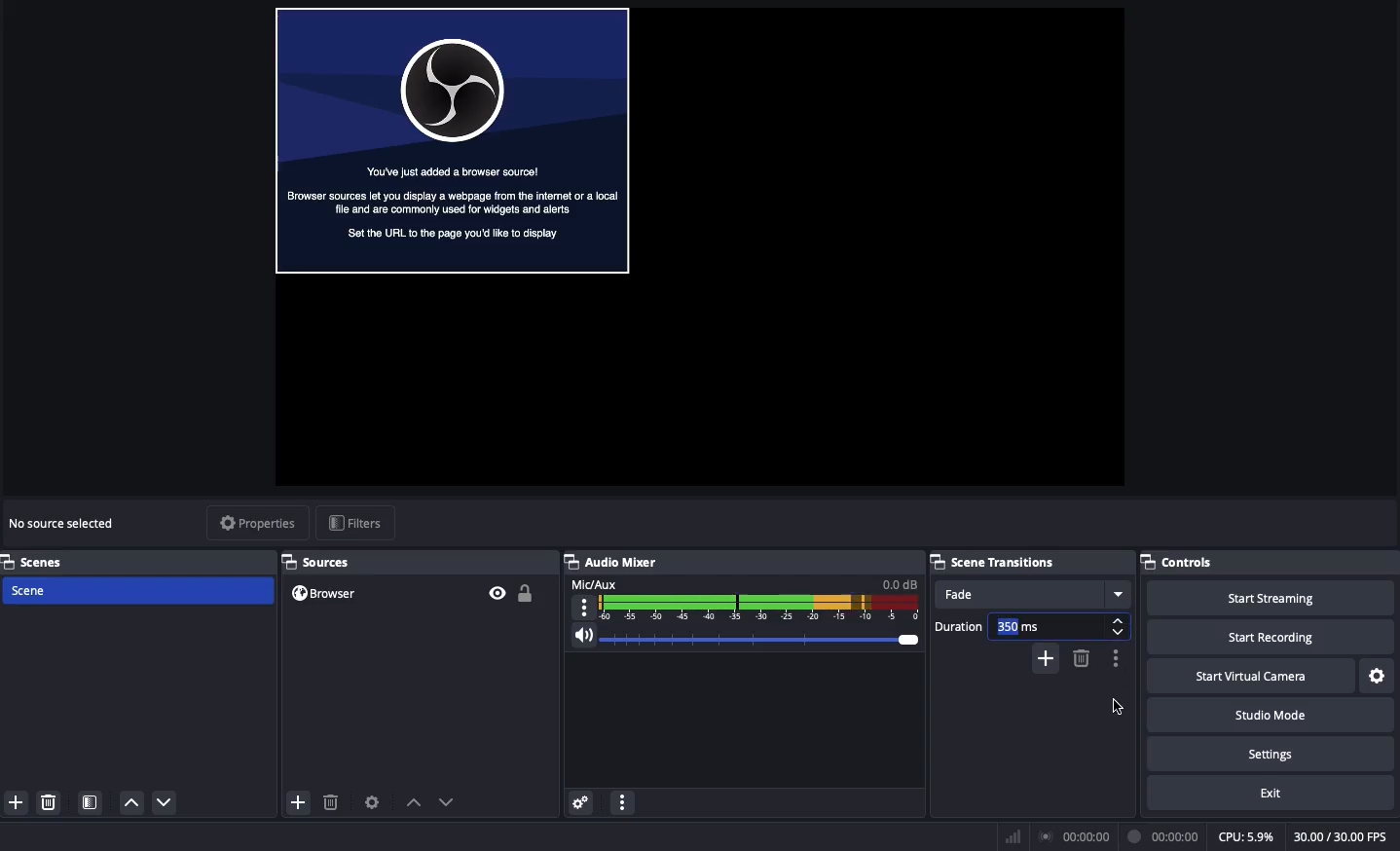 The height and width of the screenshot is (851, 1400). Describe the element at coordinates (1274, 755) in the screenshot. I see `Settings` at that location.